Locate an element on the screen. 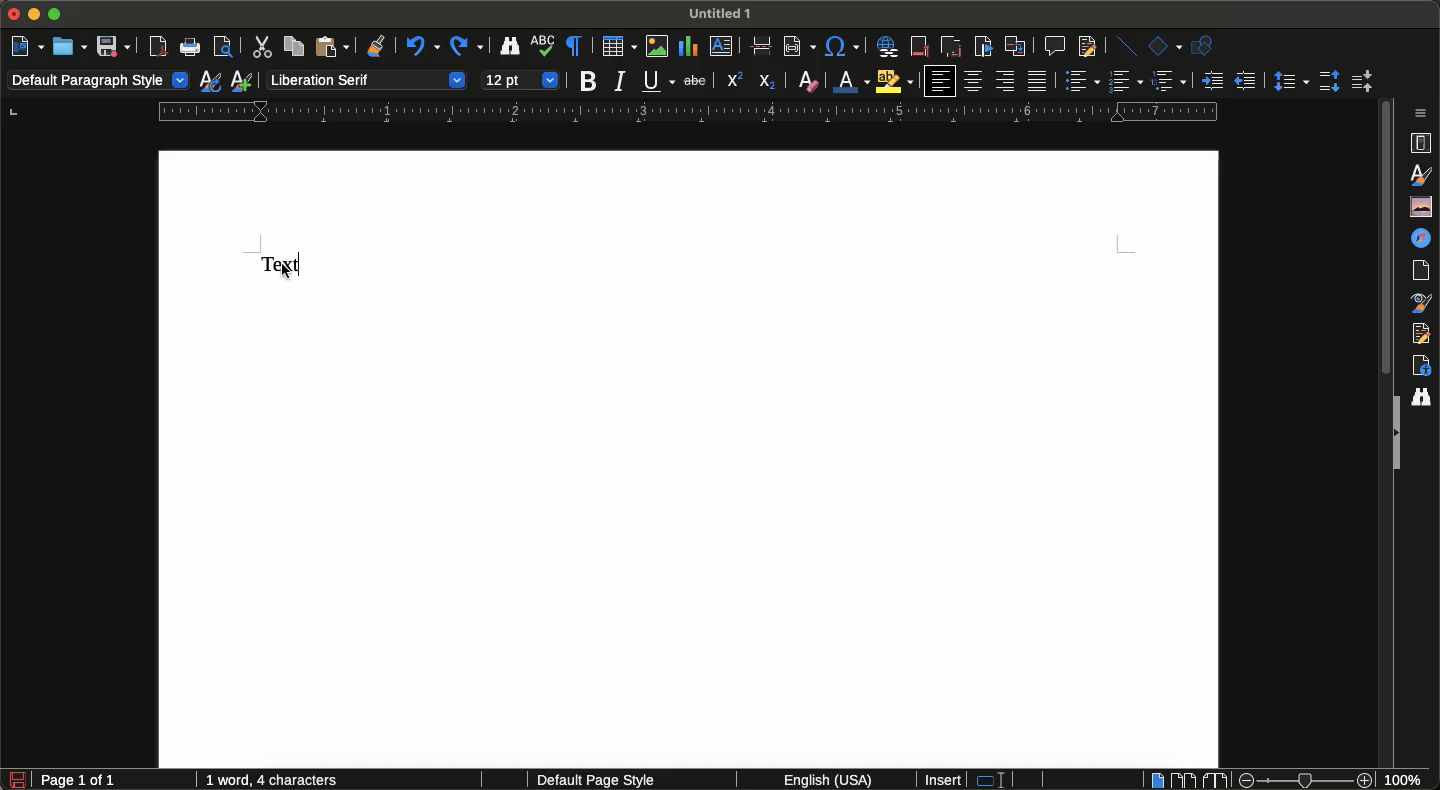 The height and width of the screenshot is (790, 1440). Ruler is located at coordinates (688, 112).